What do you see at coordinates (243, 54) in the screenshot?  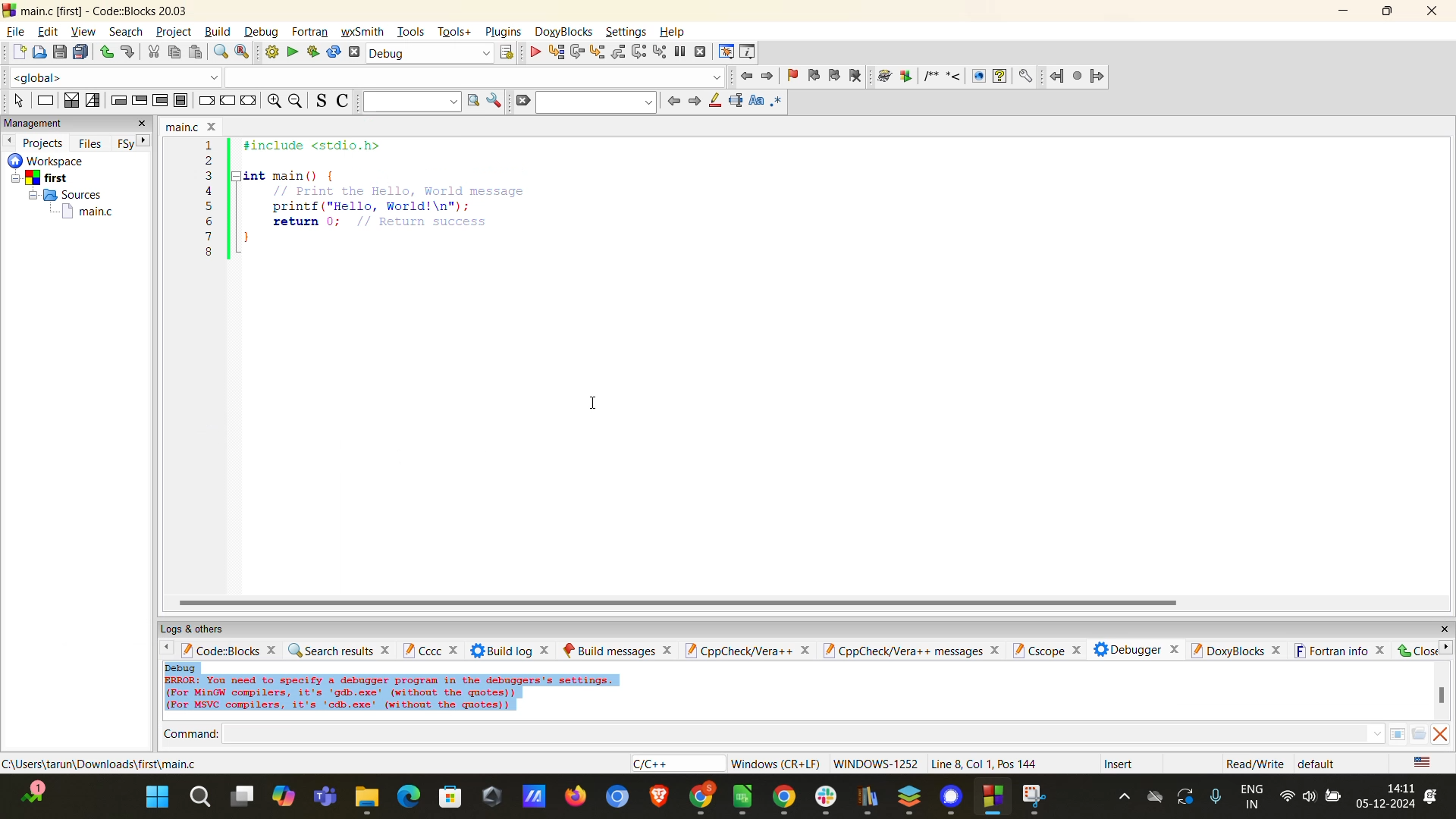 I see `replace` at bounding box center [243, 54].